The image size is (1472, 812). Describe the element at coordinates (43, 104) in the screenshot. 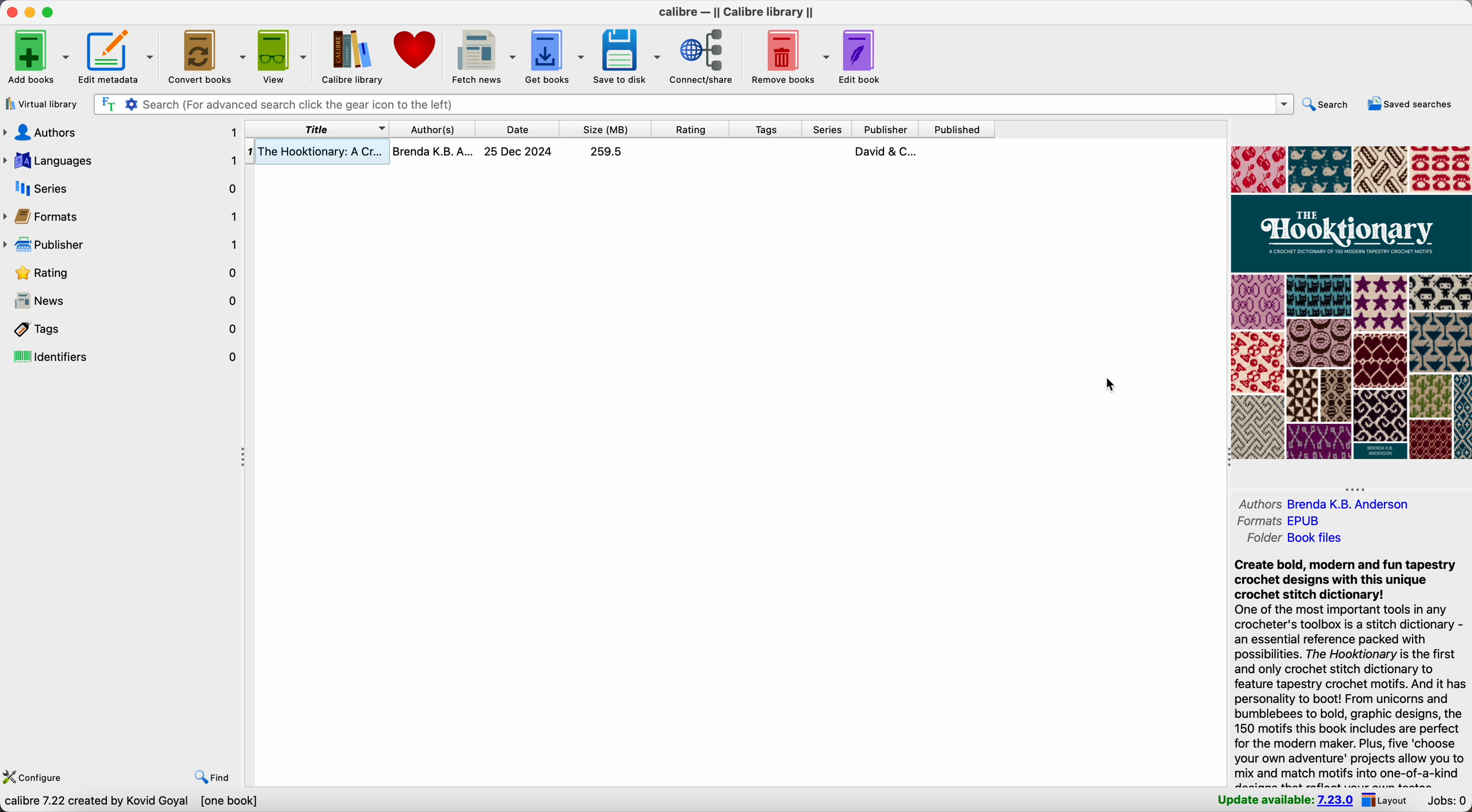

I see `virtual library` at that location.